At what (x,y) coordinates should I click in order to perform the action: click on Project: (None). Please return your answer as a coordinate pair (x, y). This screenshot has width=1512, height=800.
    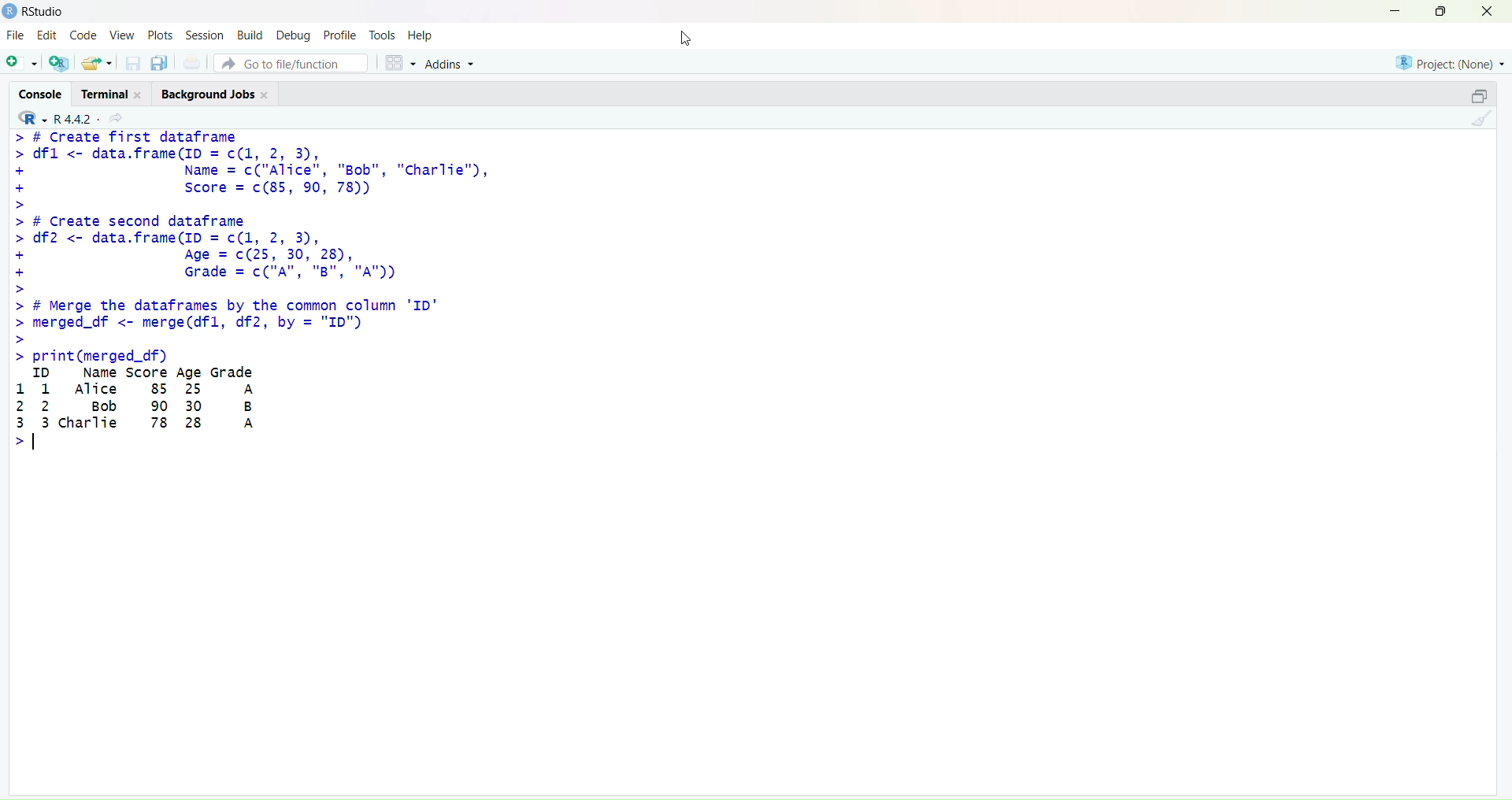
    Looking at the image, I should click on (1451, 62).